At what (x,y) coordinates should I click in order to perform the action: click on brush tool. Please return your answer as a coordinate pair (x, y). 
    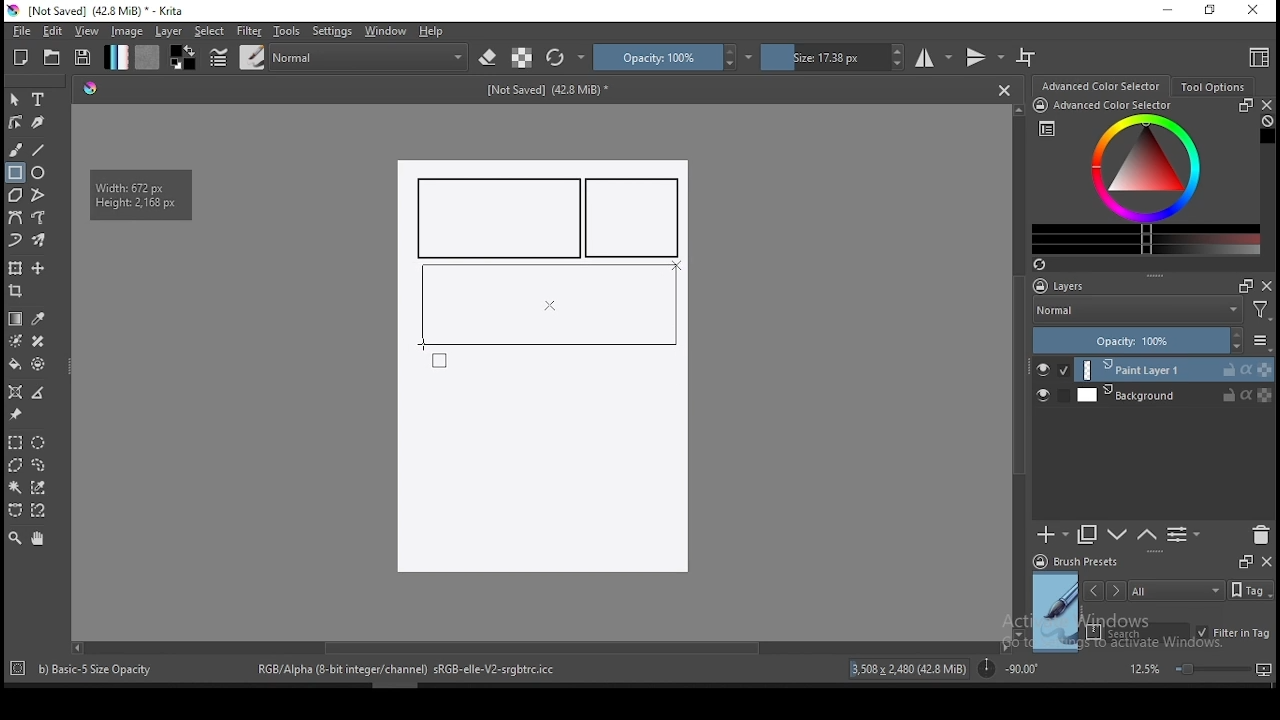
    Looking at the image, I should click on (17, 149).